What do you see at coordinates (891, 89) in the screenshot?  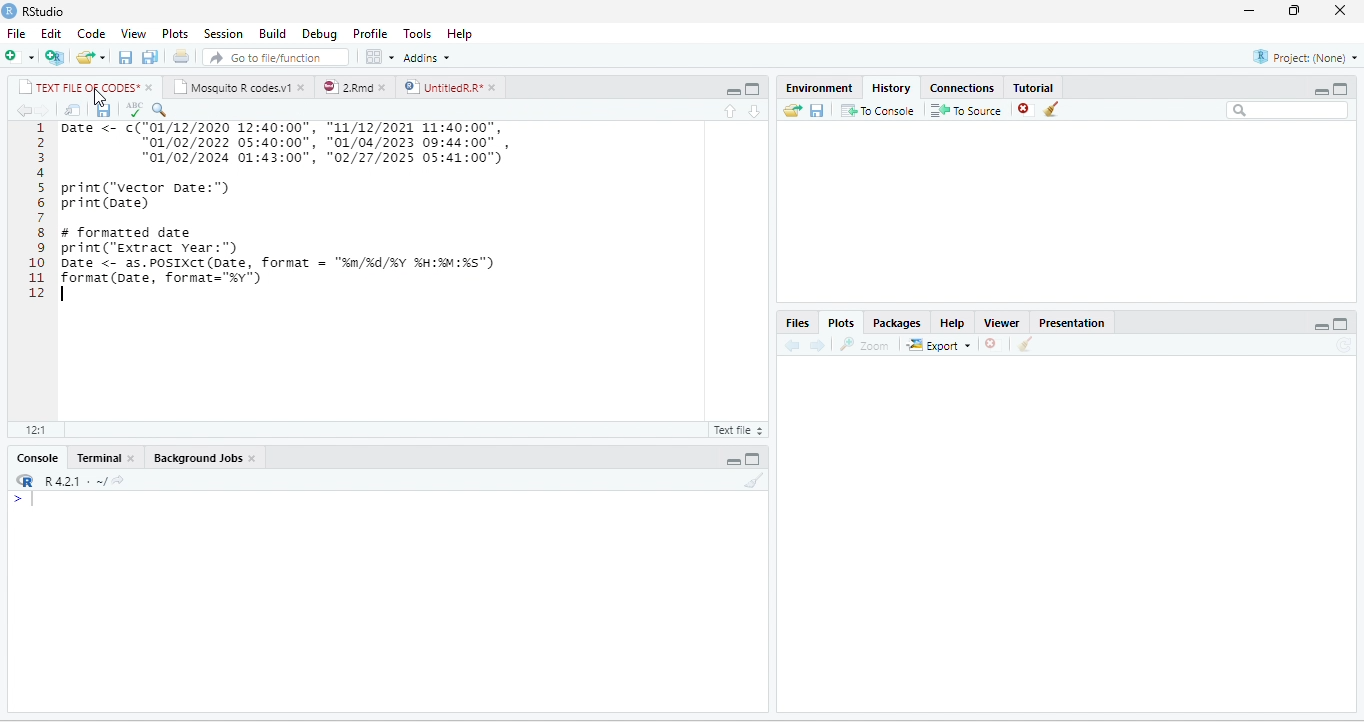 I see `History` at bounding box center [891, 89].